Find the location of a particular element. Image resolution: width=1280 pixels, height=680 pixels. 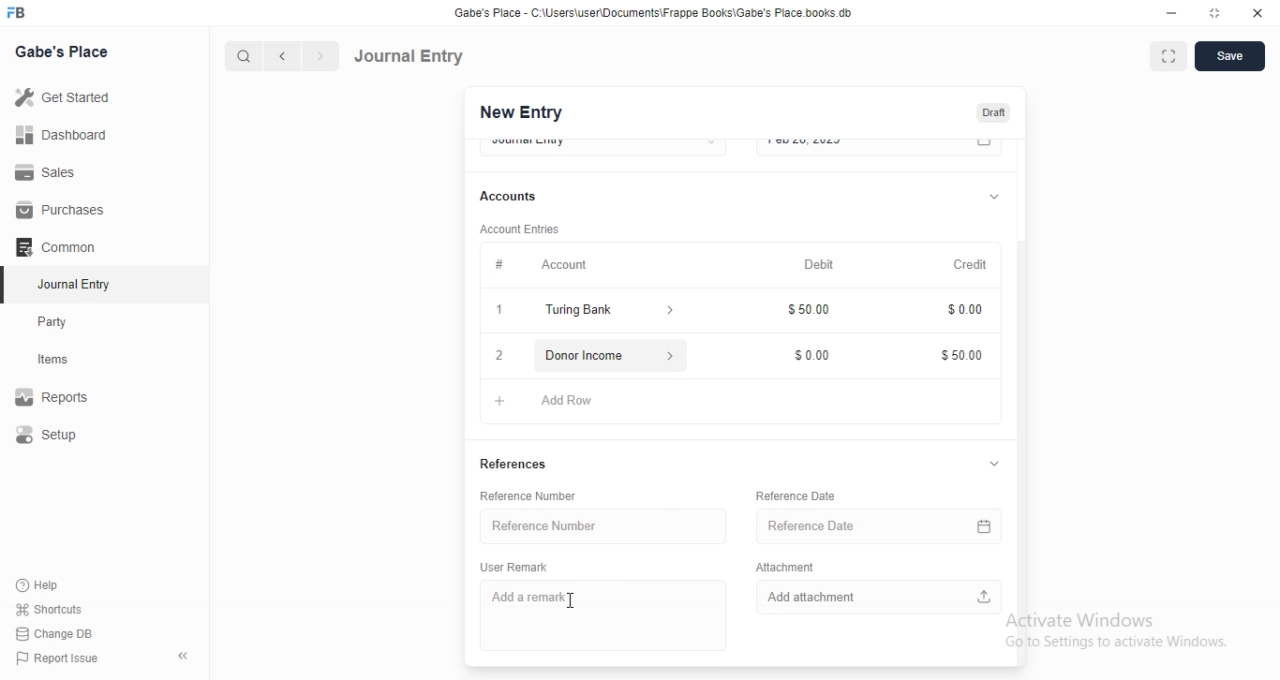

Journal Entry is located at coordinates (65, 286).